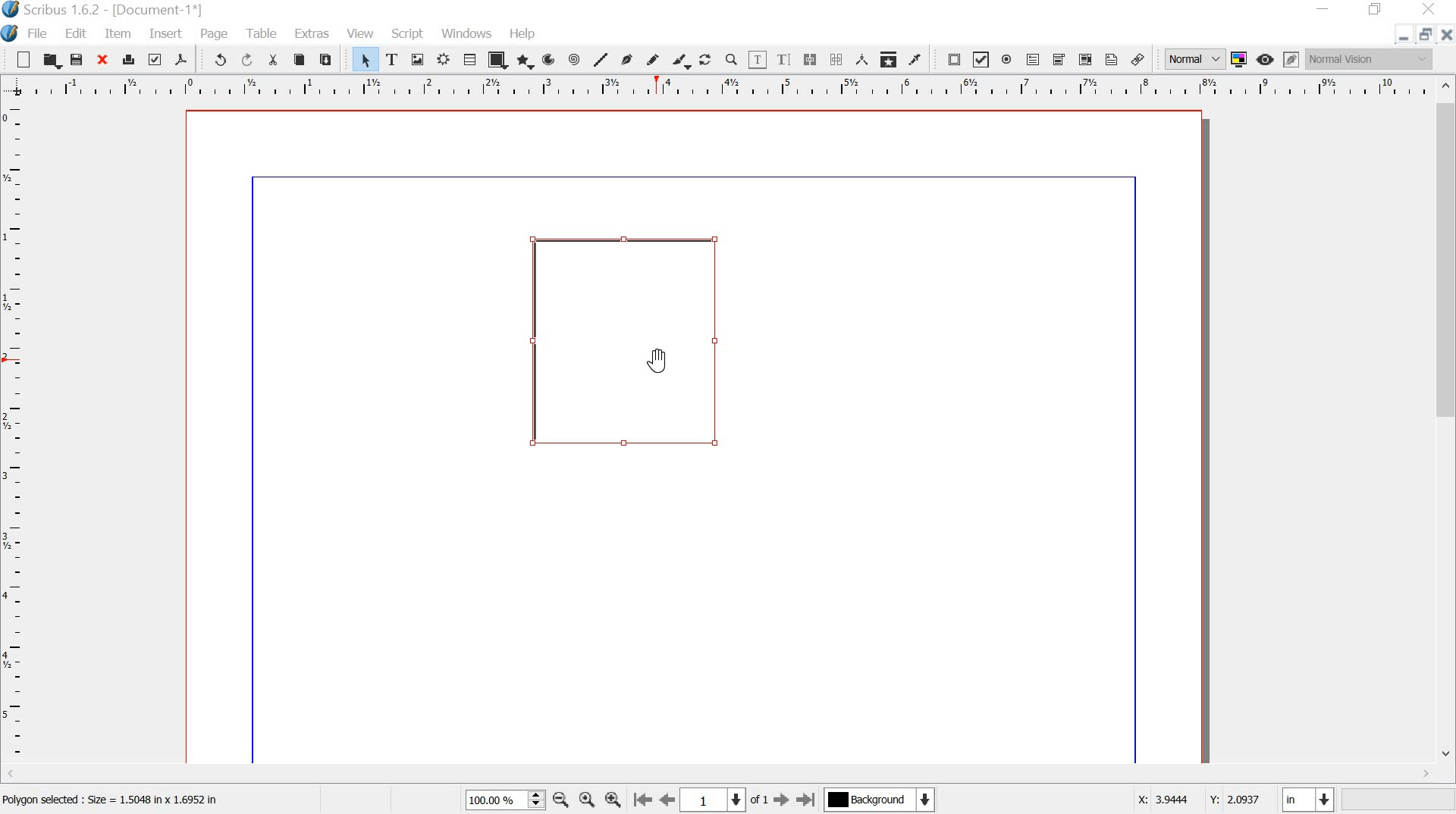 The height and width of the screenshot is (814, 1456). I want to click on cursor, so click(661, 358).